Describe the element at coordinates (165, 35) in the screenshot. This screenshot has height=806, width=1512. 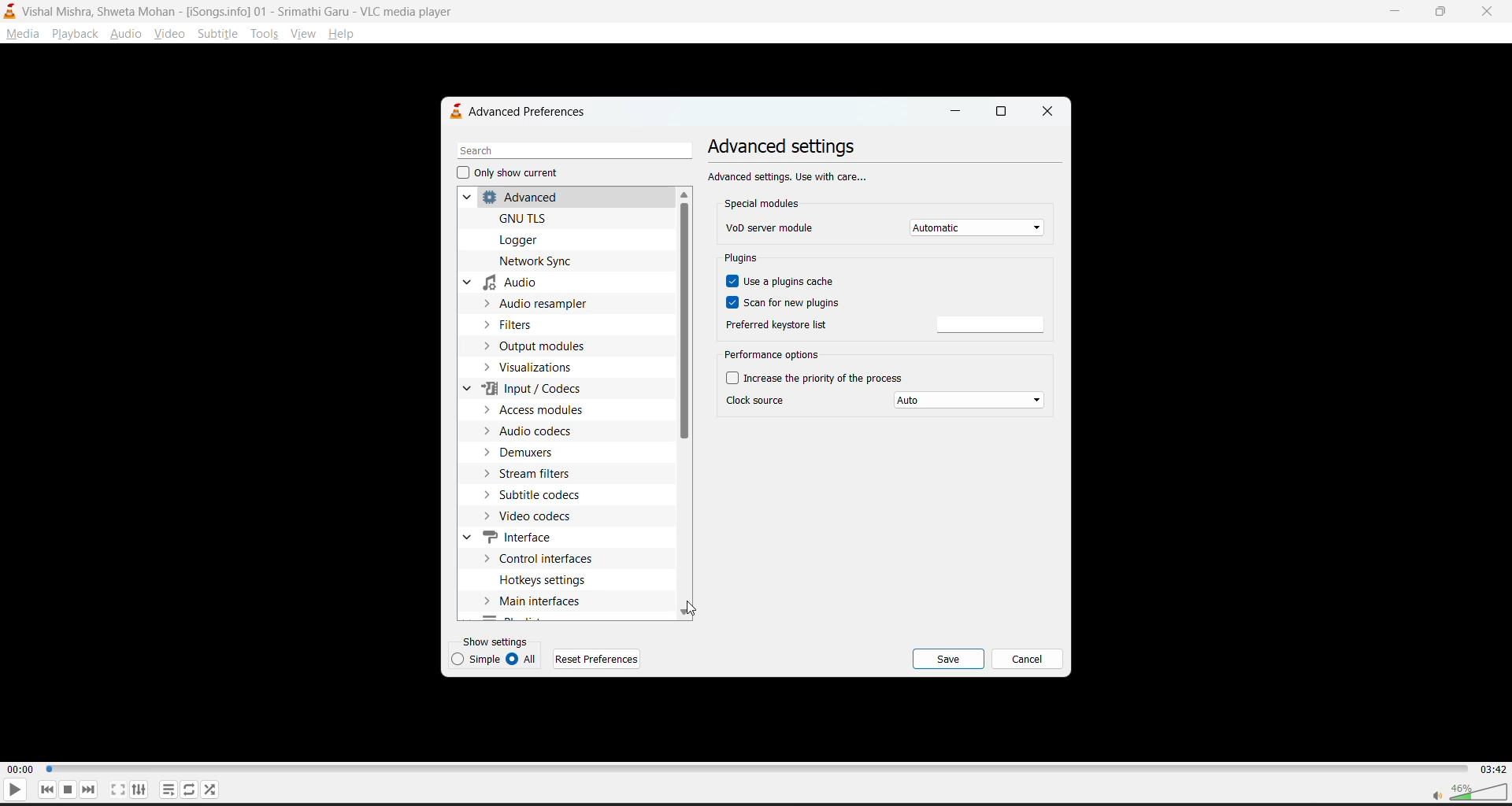
I see `video` at that location.